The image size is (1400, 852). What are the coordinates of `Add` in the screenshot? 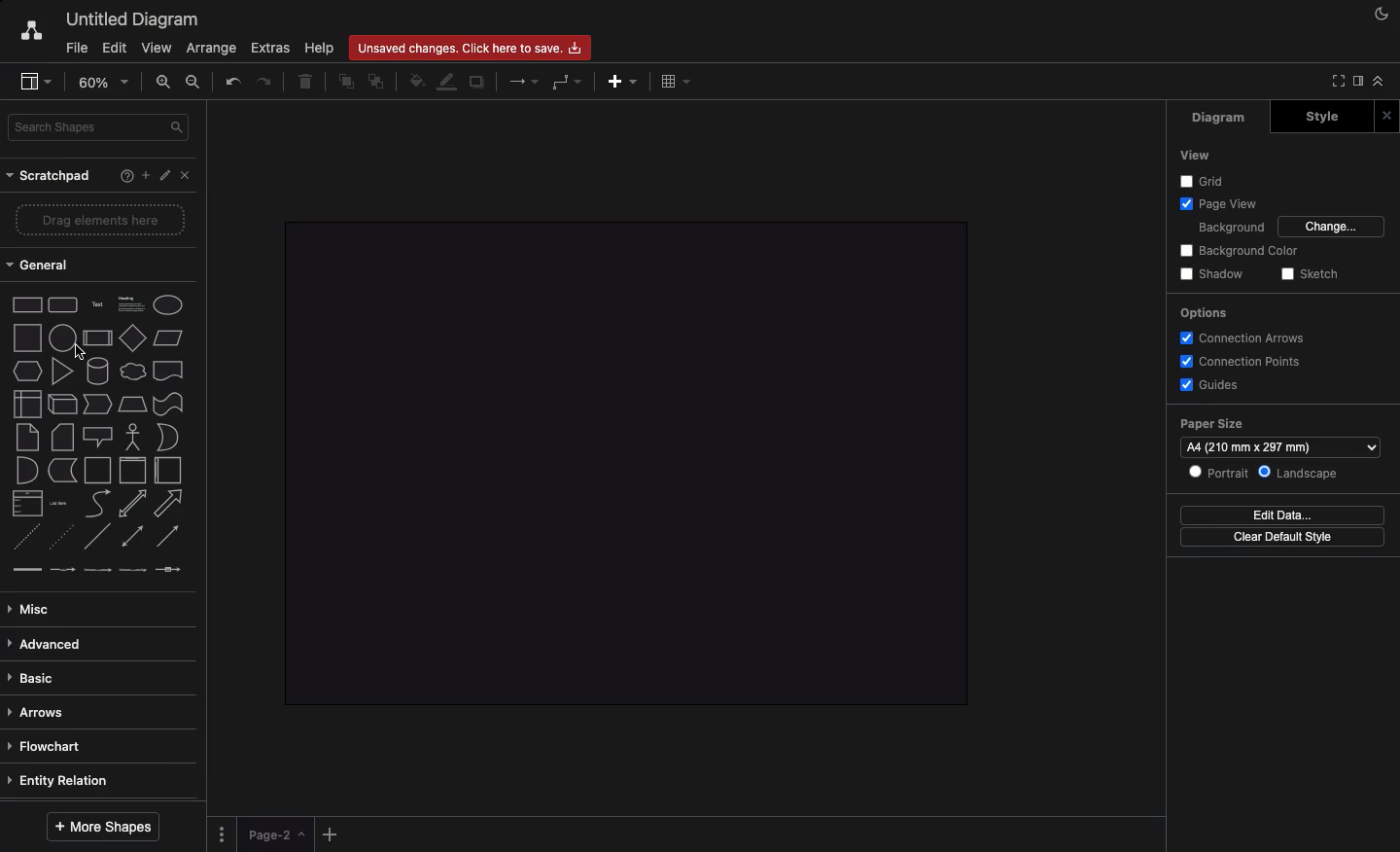 It's located at (624, 83).